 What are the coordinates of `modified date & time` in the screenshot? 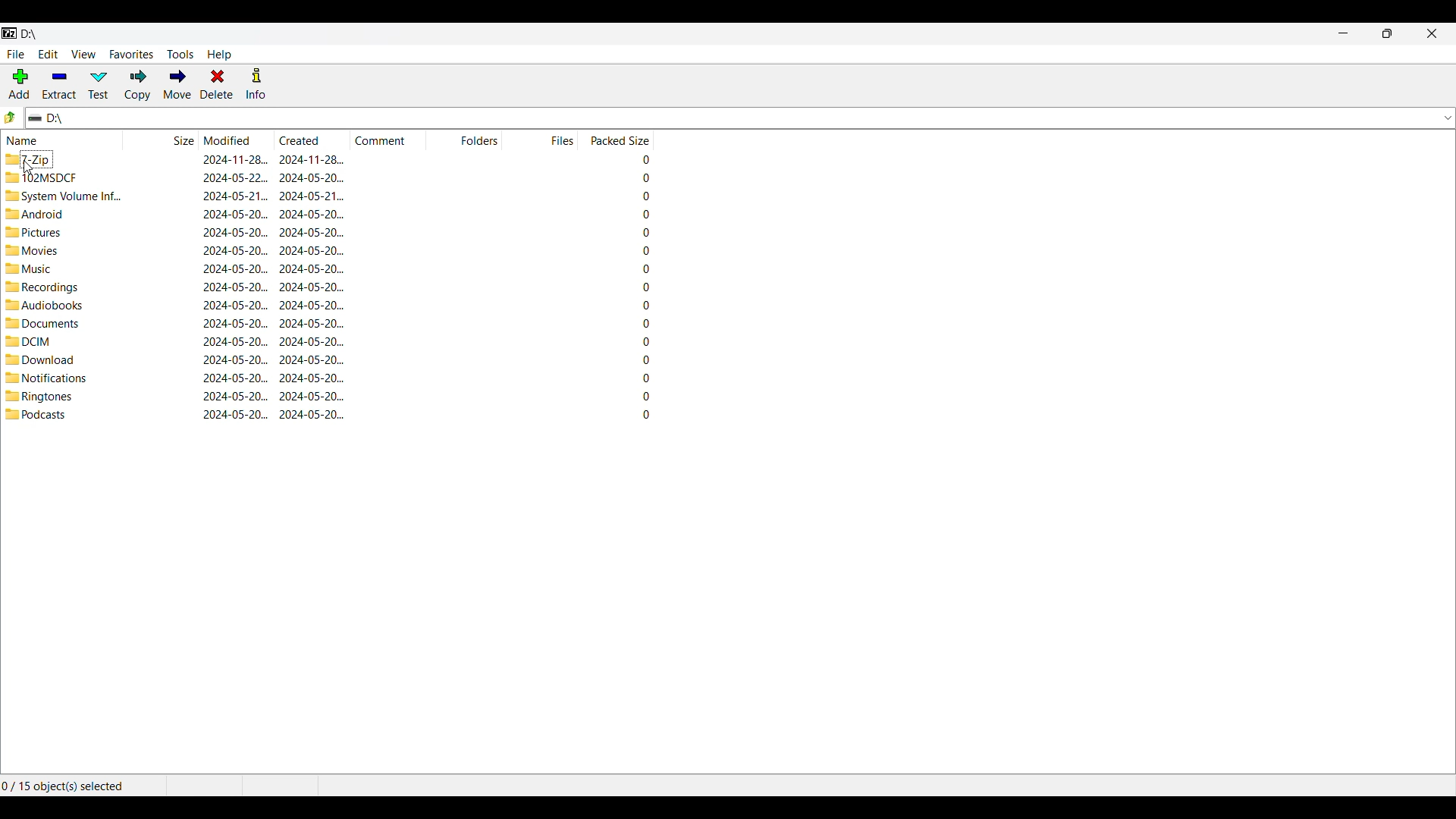 It's located at (235, 286).